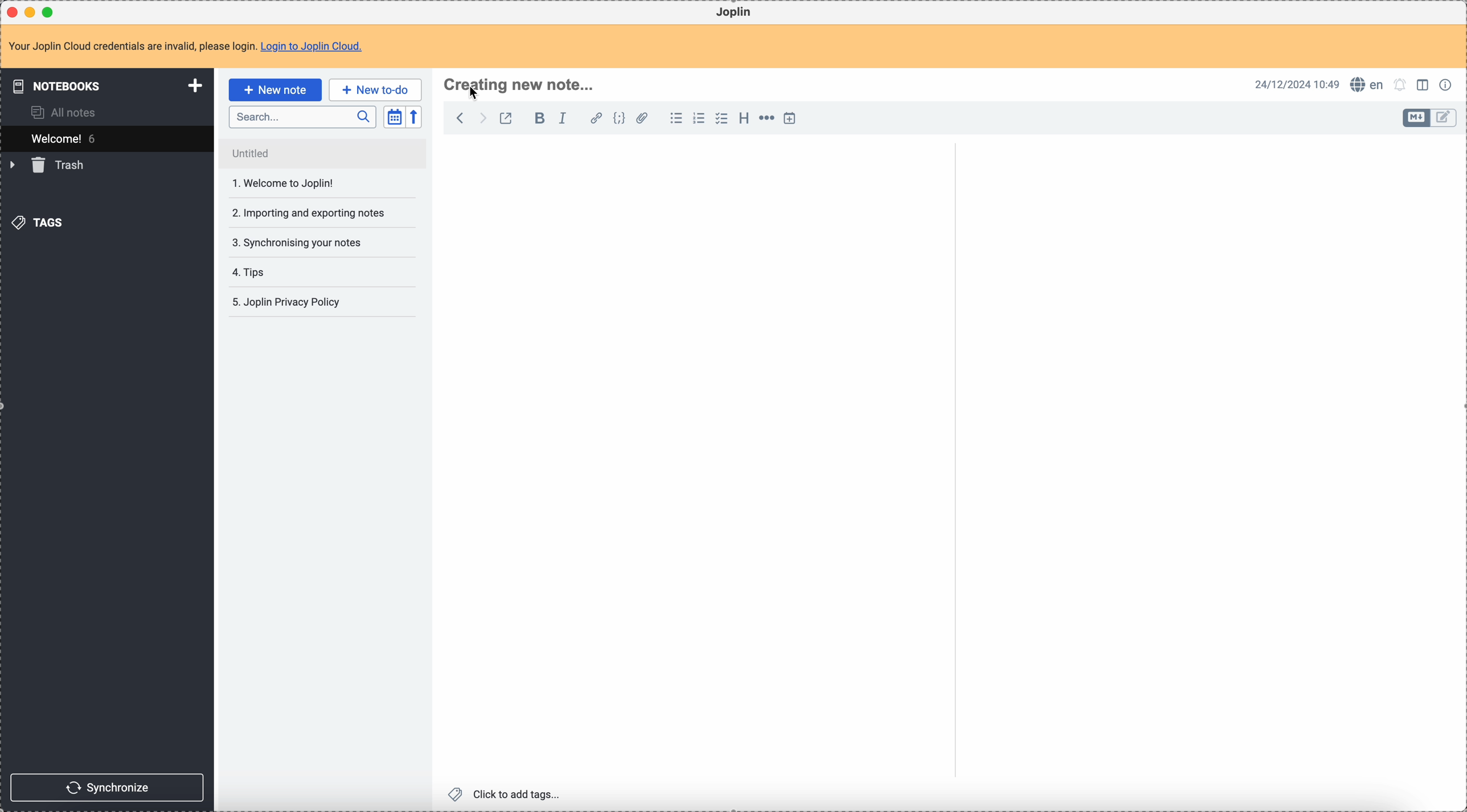  Describe the element at coordinates (1400, 85) in the screenshot. I see `set alarm` at that location.